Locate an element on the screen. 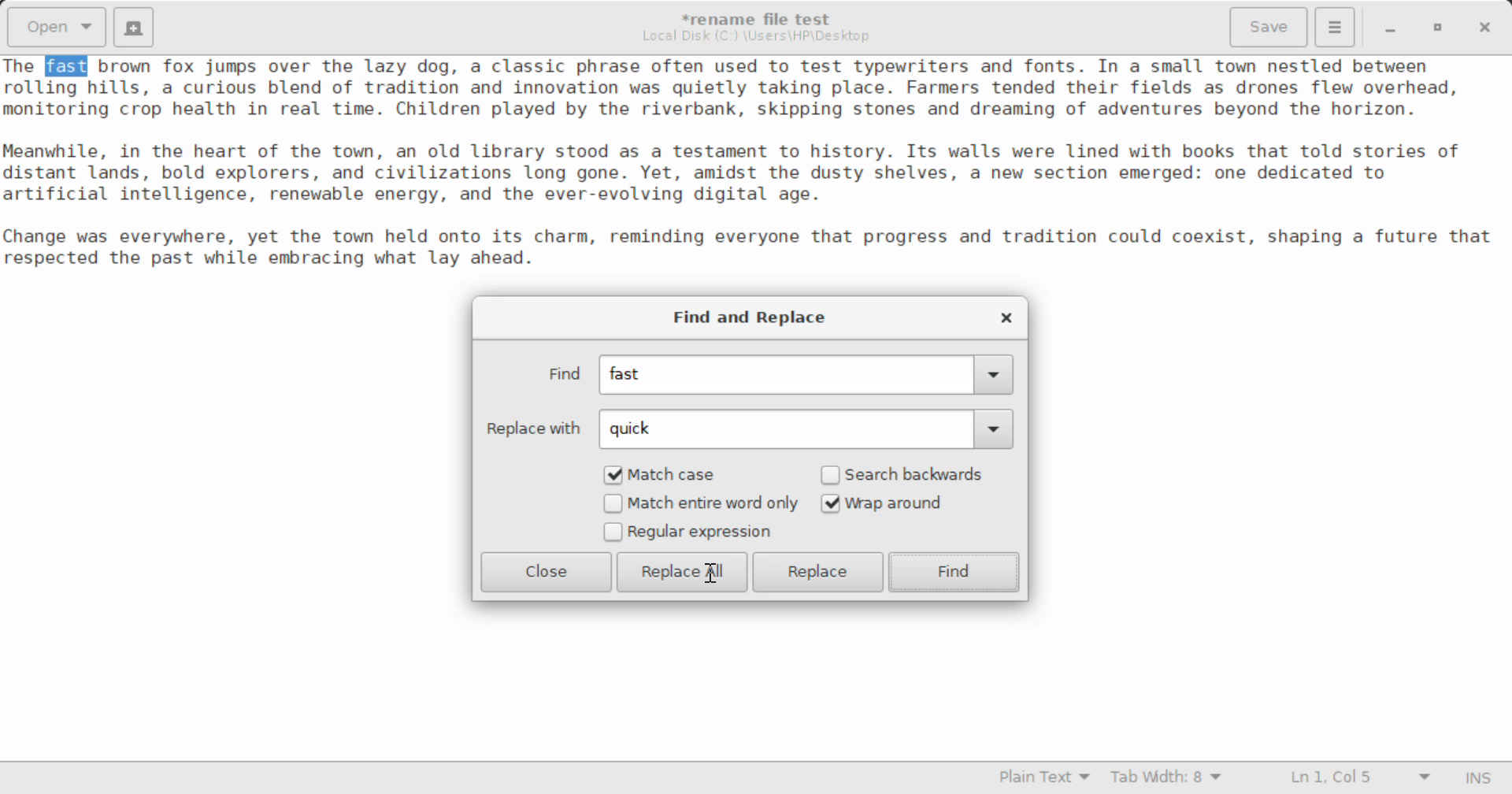  Match entire word only is located at coordinates (700, 505).